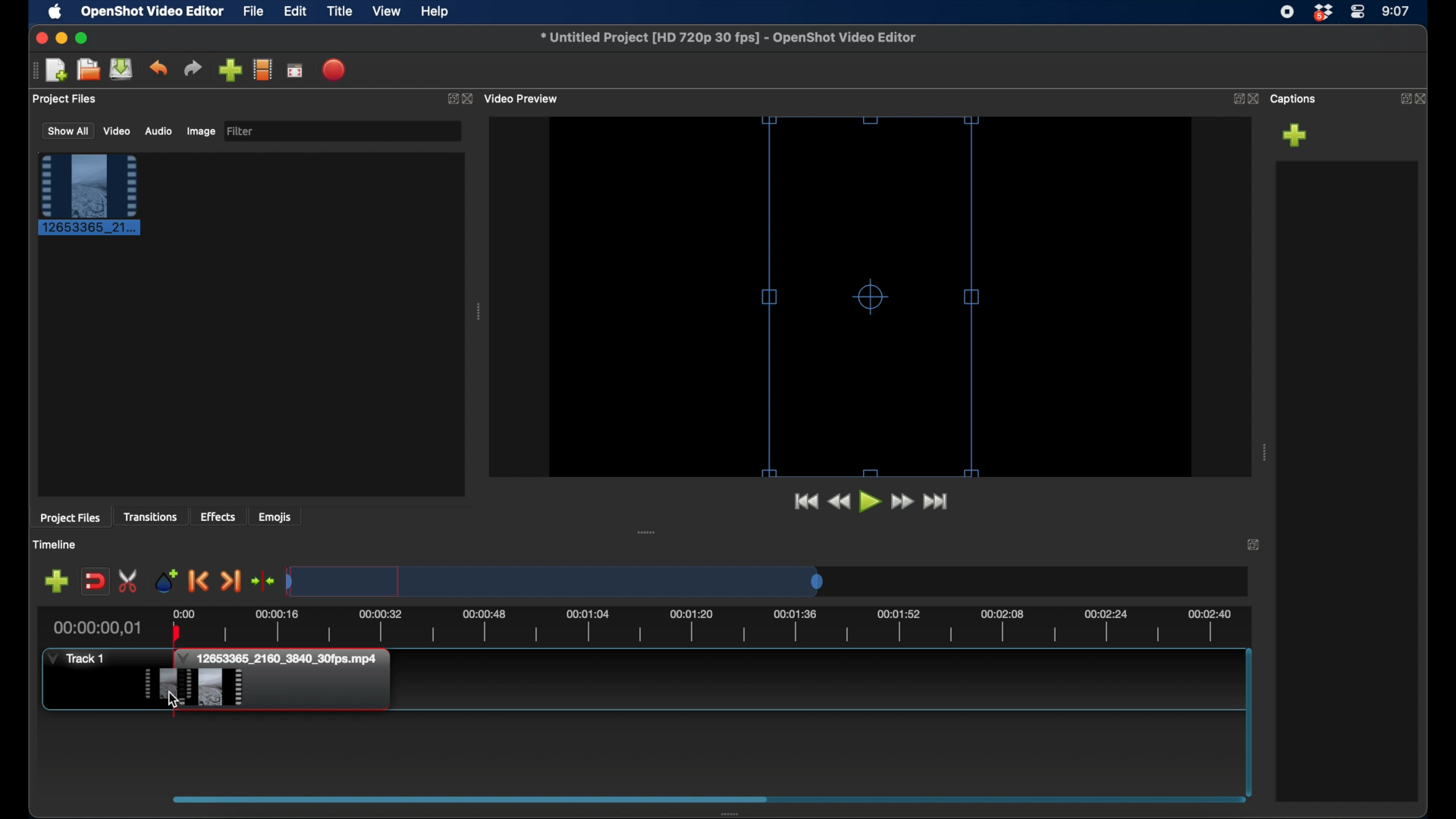 This screenshot has width=1456, height=819. What do you see at coordinates (152, 516) in the screenshot?
I see `transitions` at bounding box center [152, 516].